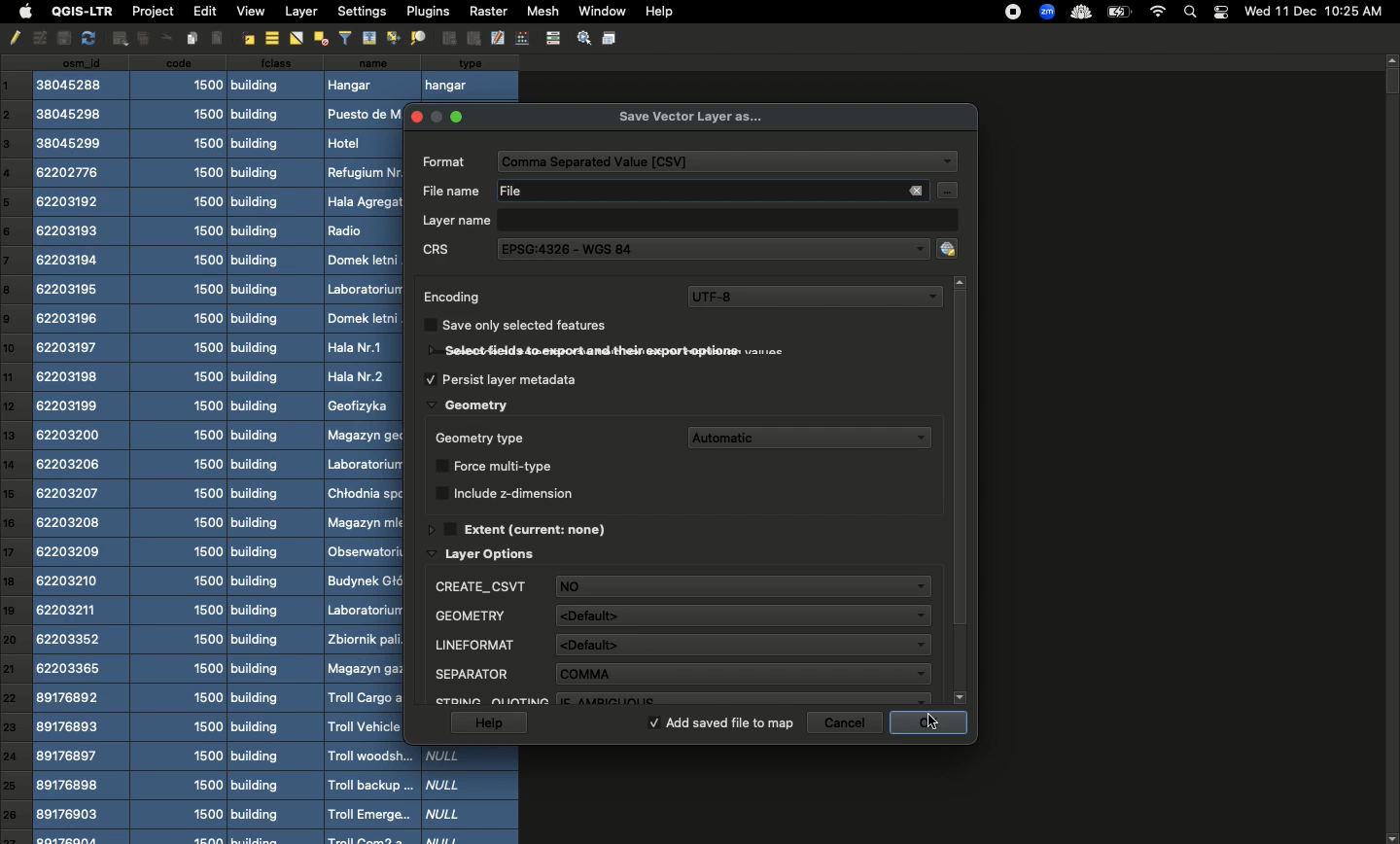 This screenshot has height=844, width=1400. I want to click on Layer name, so click(686, 220).